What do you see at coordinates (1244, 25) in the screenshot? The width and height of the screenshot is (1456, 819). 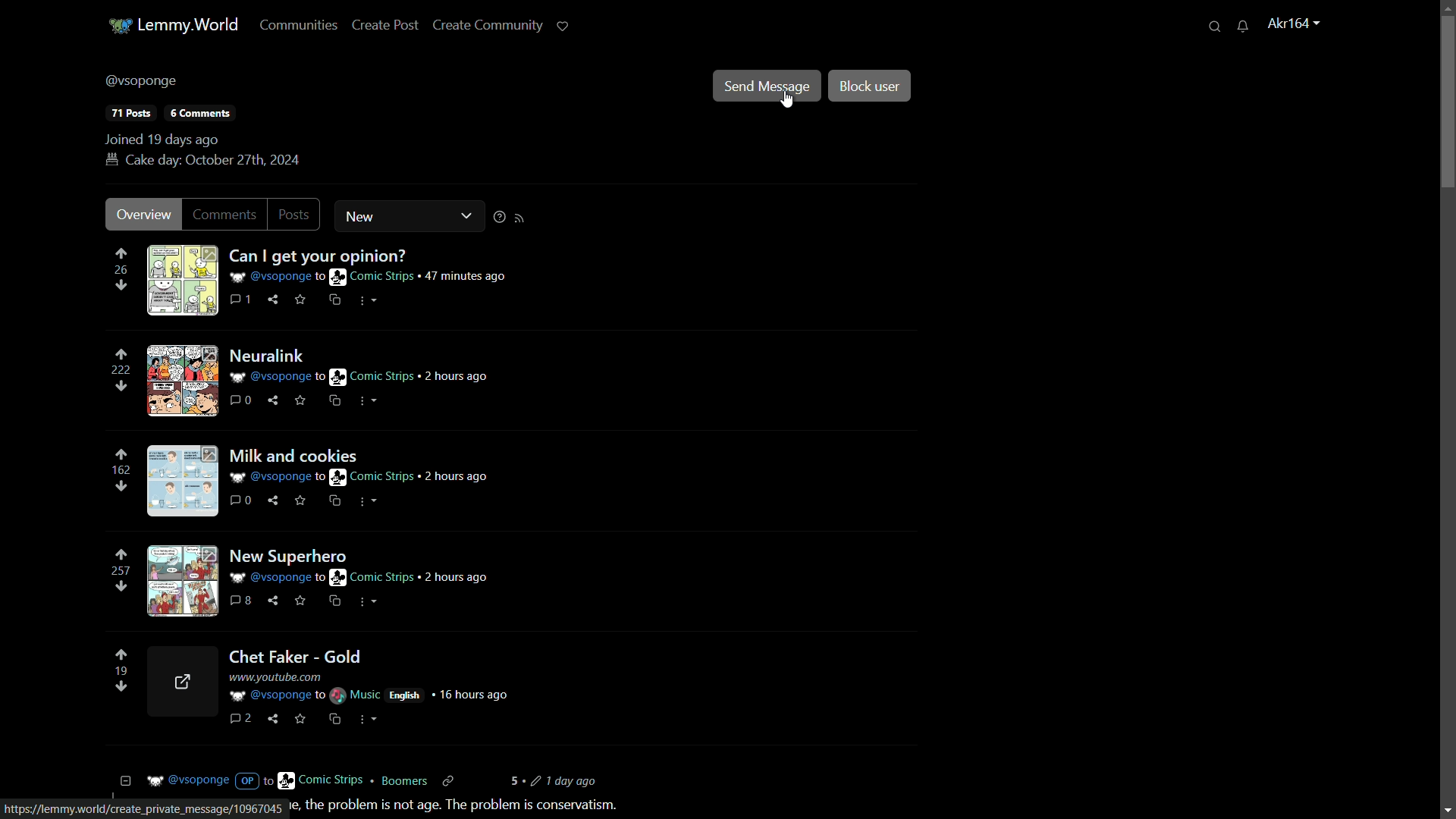 I see `unread messages` at bounding box center [1244, 25].